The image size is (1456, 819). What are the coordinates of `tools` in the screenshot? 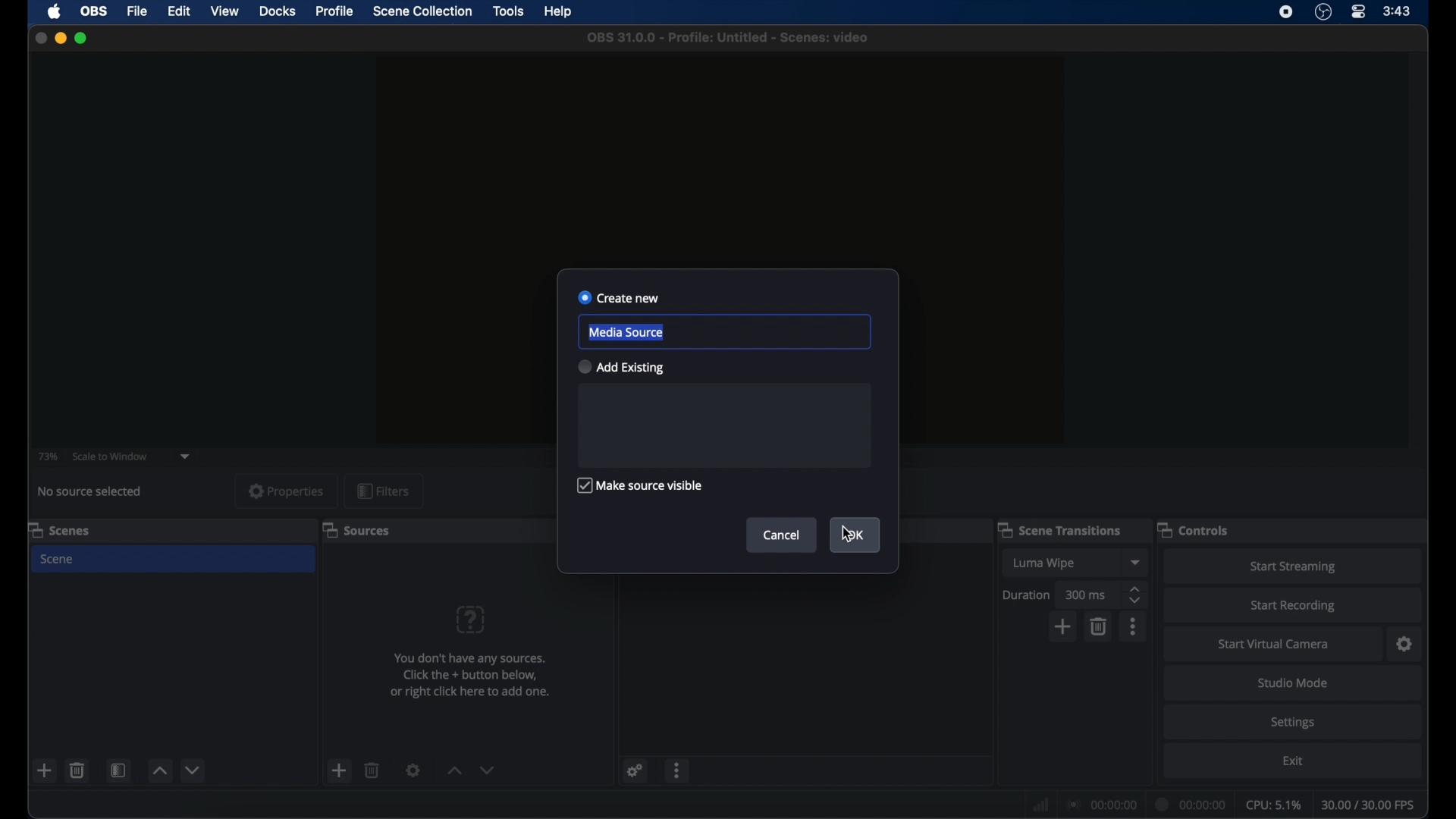 It's located at (510, 11).